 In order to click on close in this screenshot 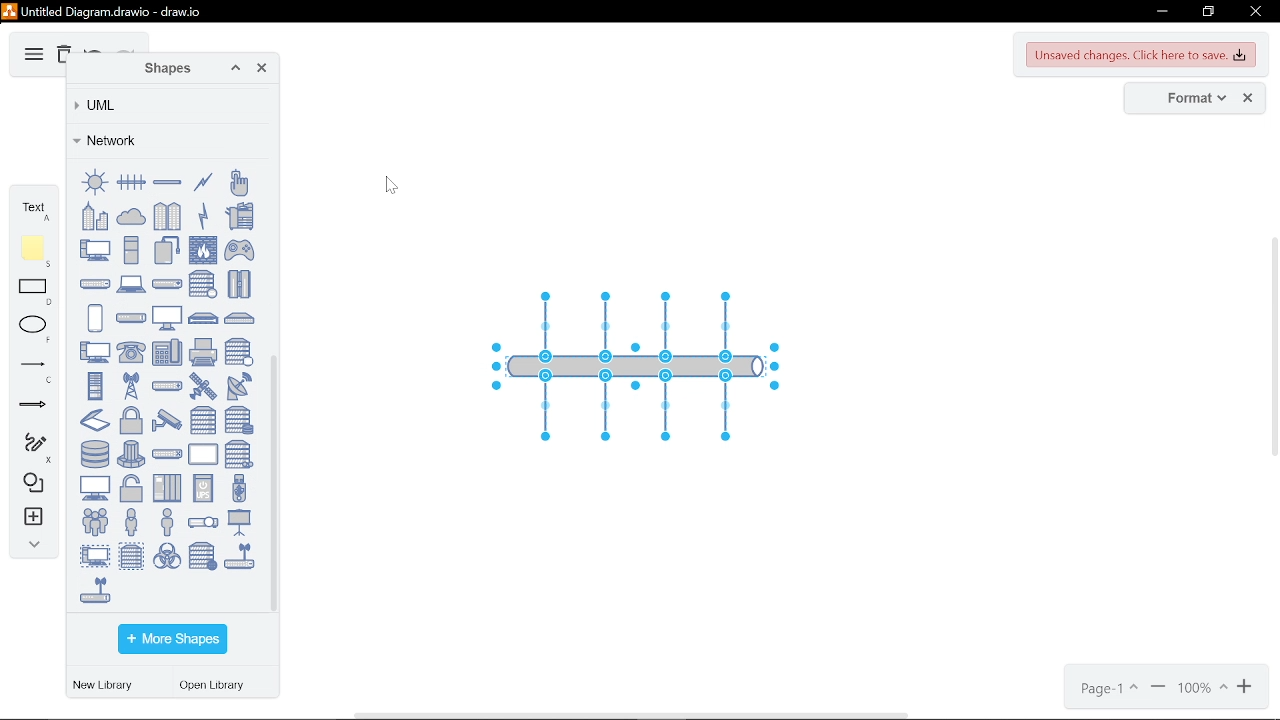, I will do `click(1248, 99)`.